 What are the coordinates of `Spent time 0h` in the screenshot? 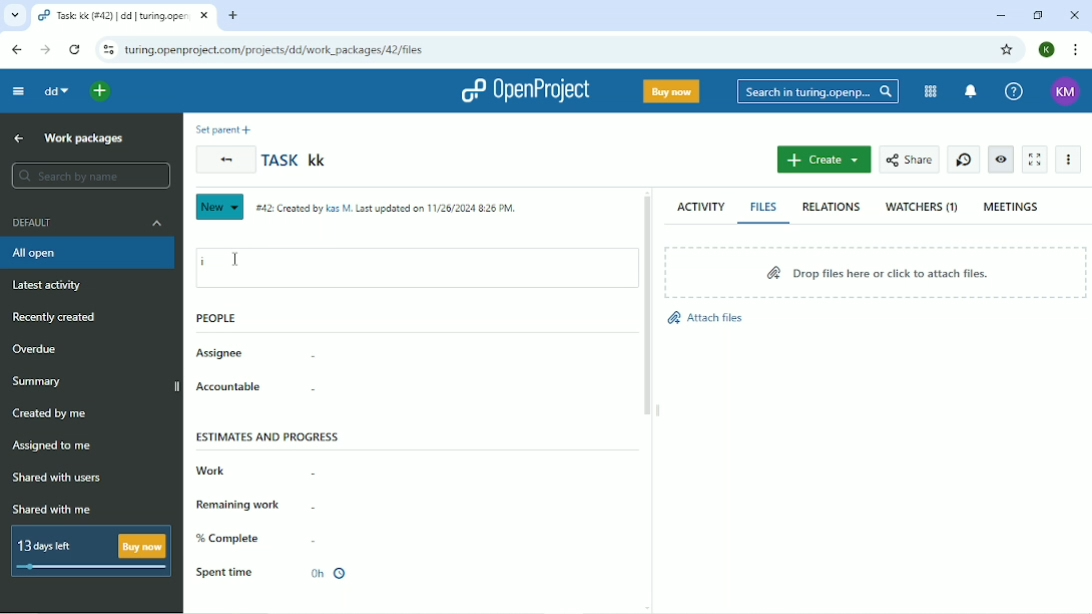 It's located at (276, 574).